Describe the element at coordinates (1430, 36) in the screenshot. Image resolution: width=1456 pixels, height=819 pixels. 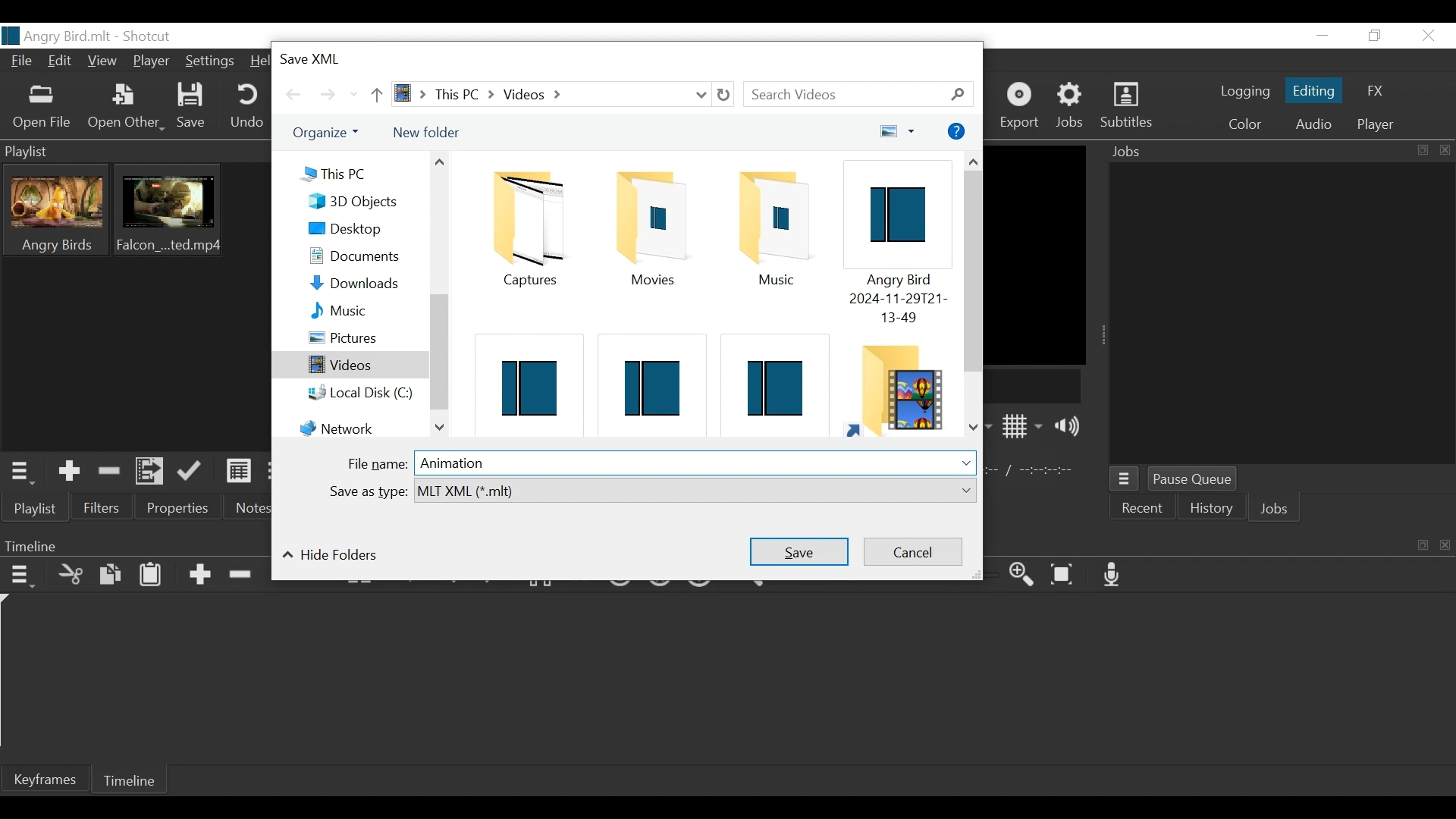
I see `Close` at that location.